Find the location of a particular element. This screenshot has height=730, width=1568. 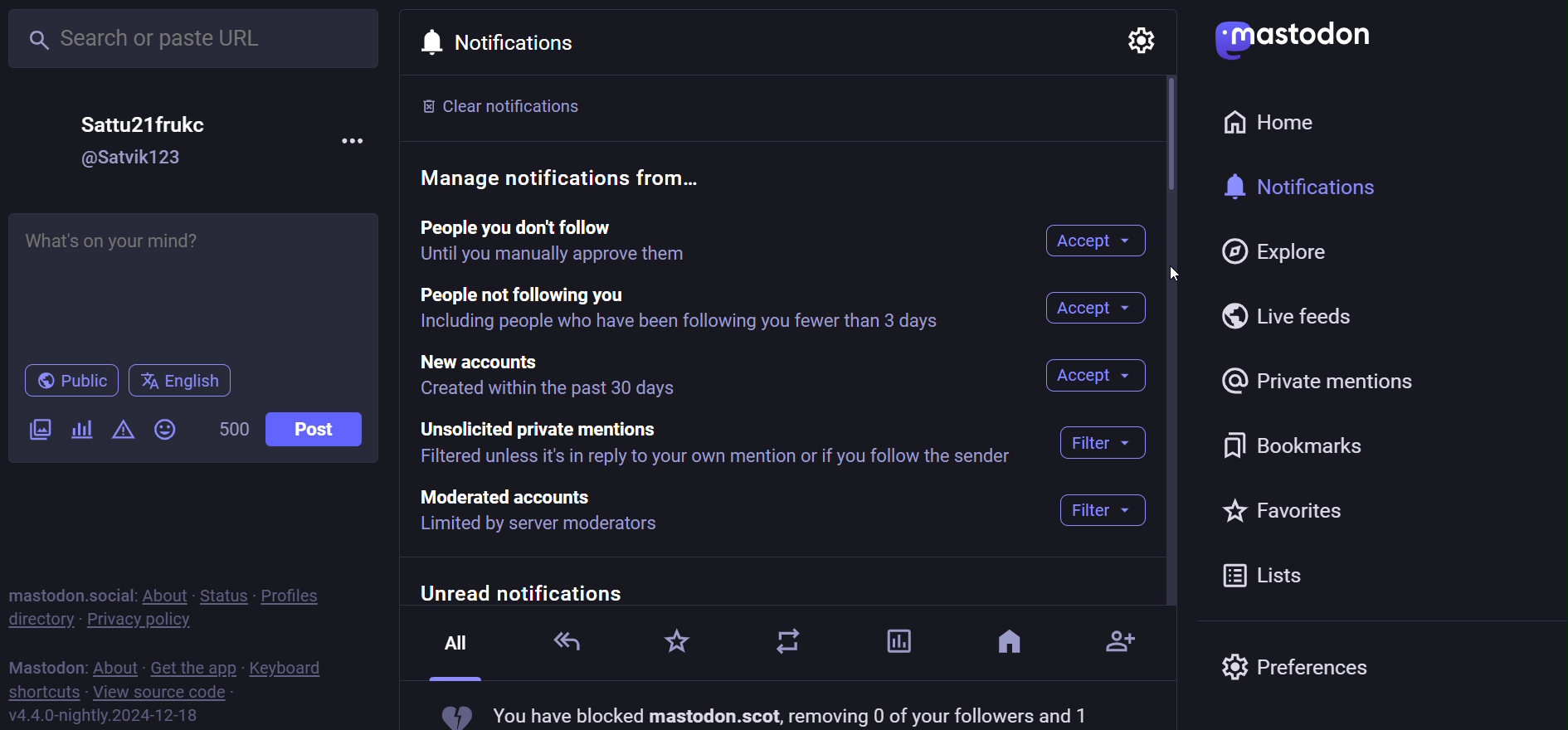

privacy policy is located at coordinates (148, 619).